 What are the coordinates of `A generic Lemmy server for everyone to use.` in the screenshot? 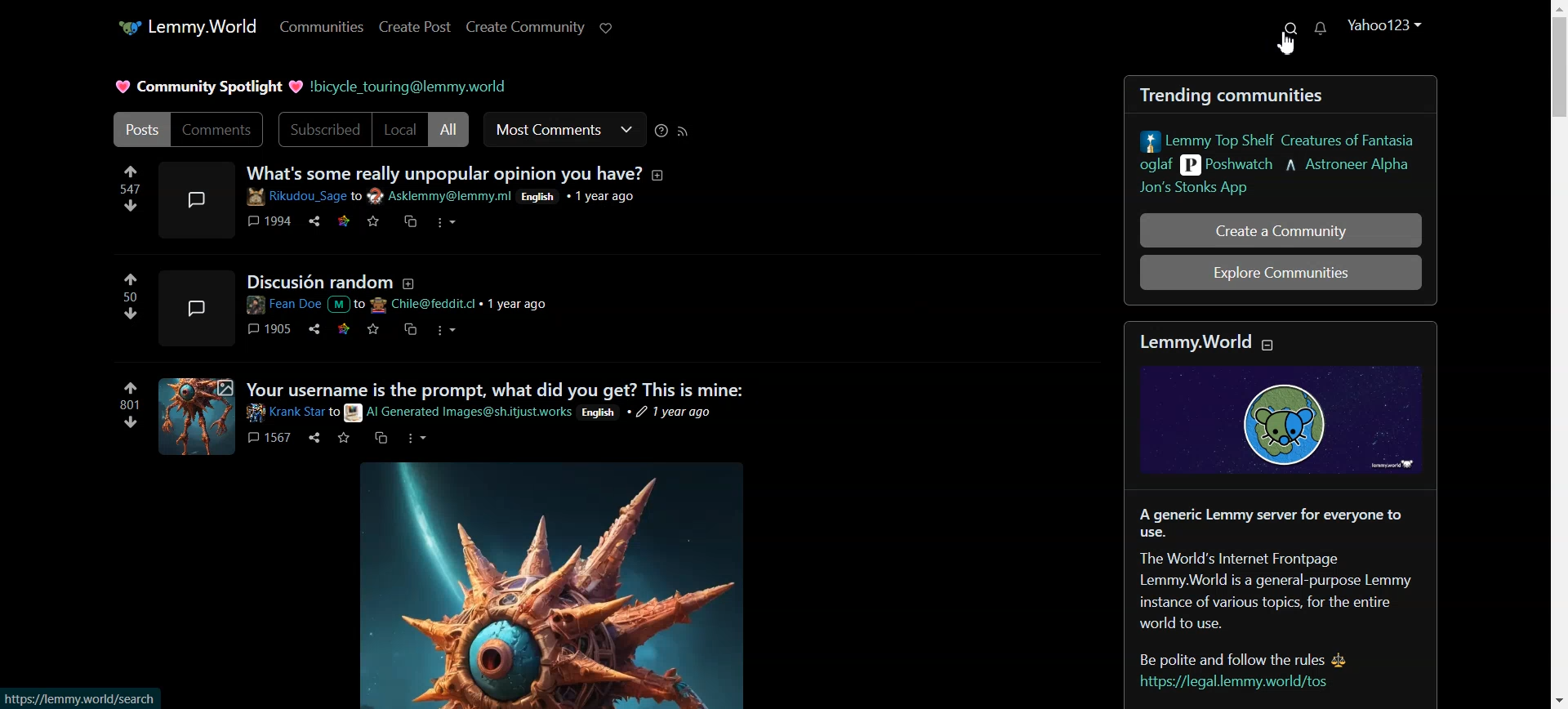 It's located at (1278, 524).